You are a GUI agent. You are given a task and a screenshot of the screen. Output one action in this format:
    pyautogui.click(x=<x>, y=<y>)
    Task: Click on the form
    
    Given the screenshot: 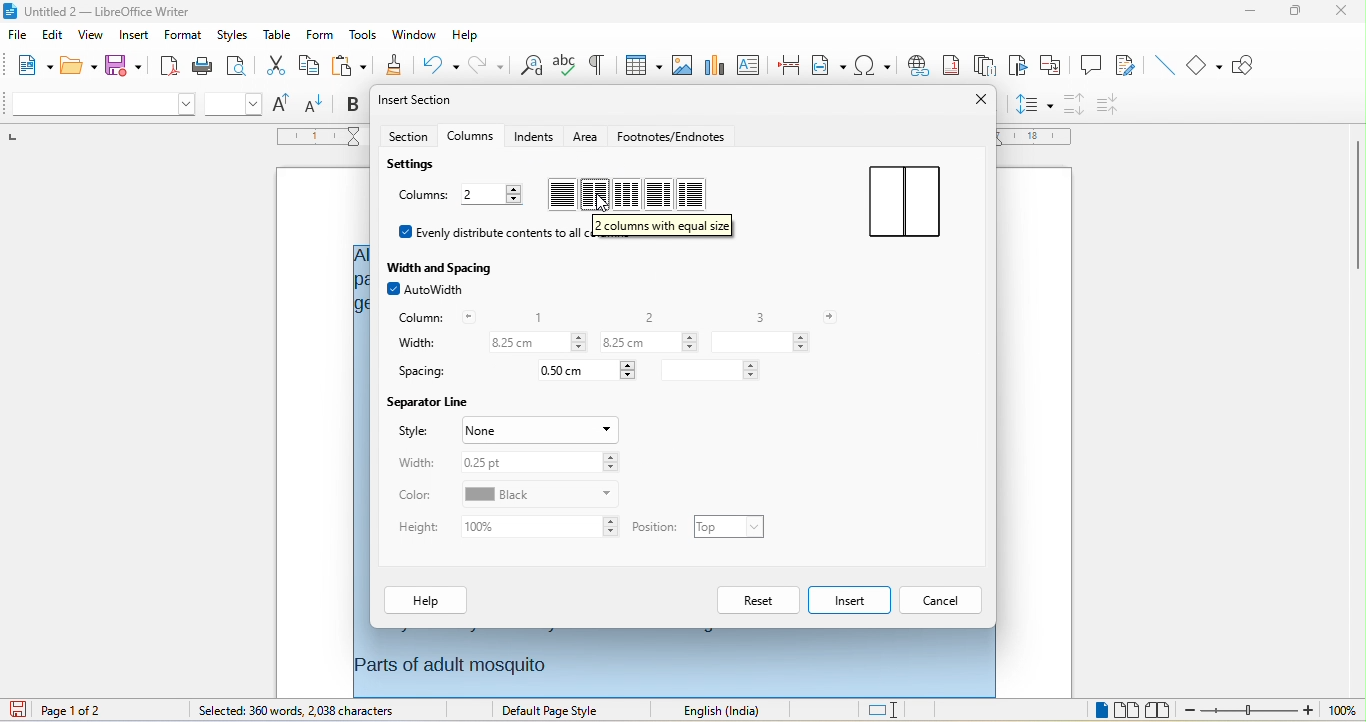 What is the action you would take?
    pyautogui.click(x=318, y=33)
    